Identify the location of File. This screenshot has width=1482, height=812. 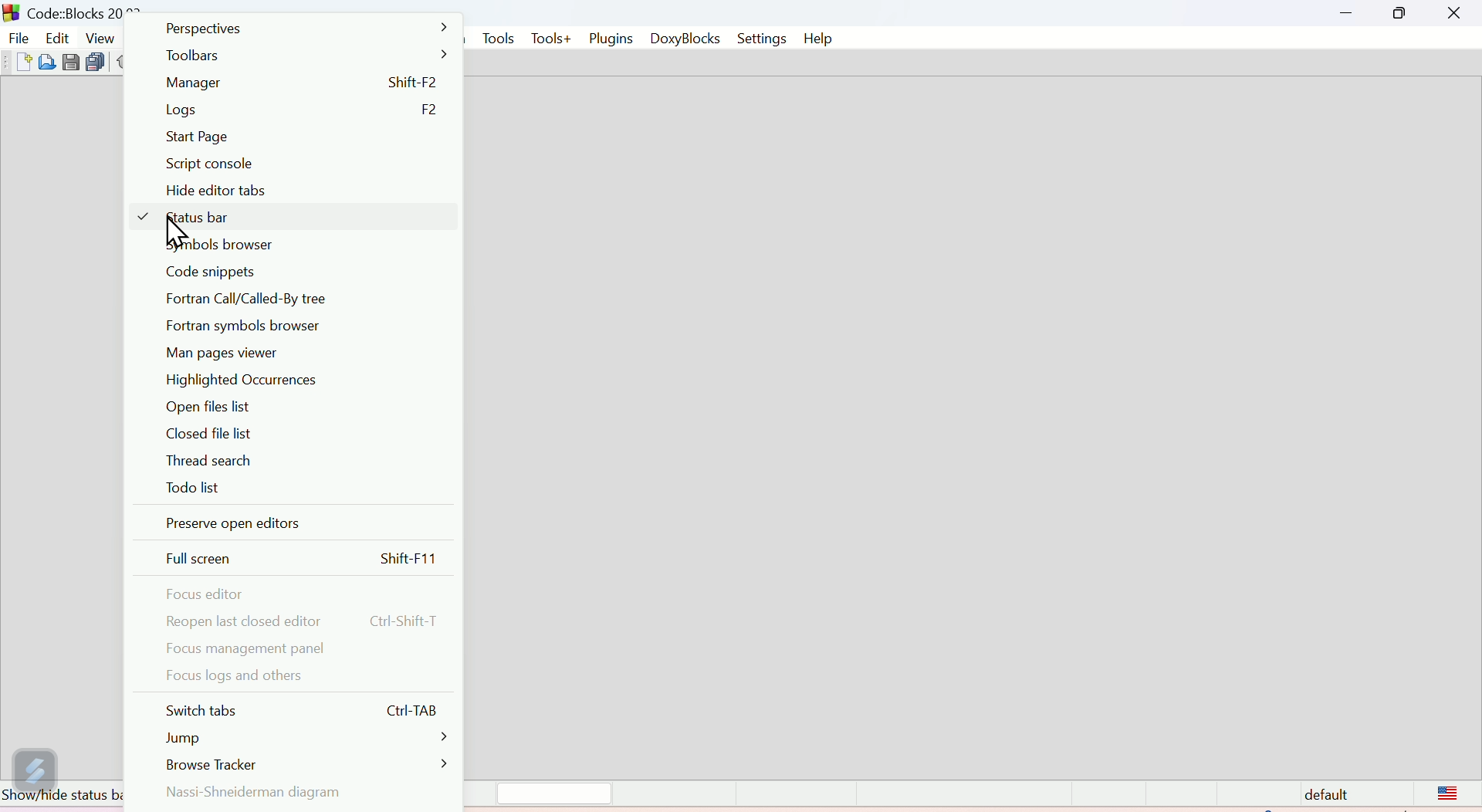
(19, 37).